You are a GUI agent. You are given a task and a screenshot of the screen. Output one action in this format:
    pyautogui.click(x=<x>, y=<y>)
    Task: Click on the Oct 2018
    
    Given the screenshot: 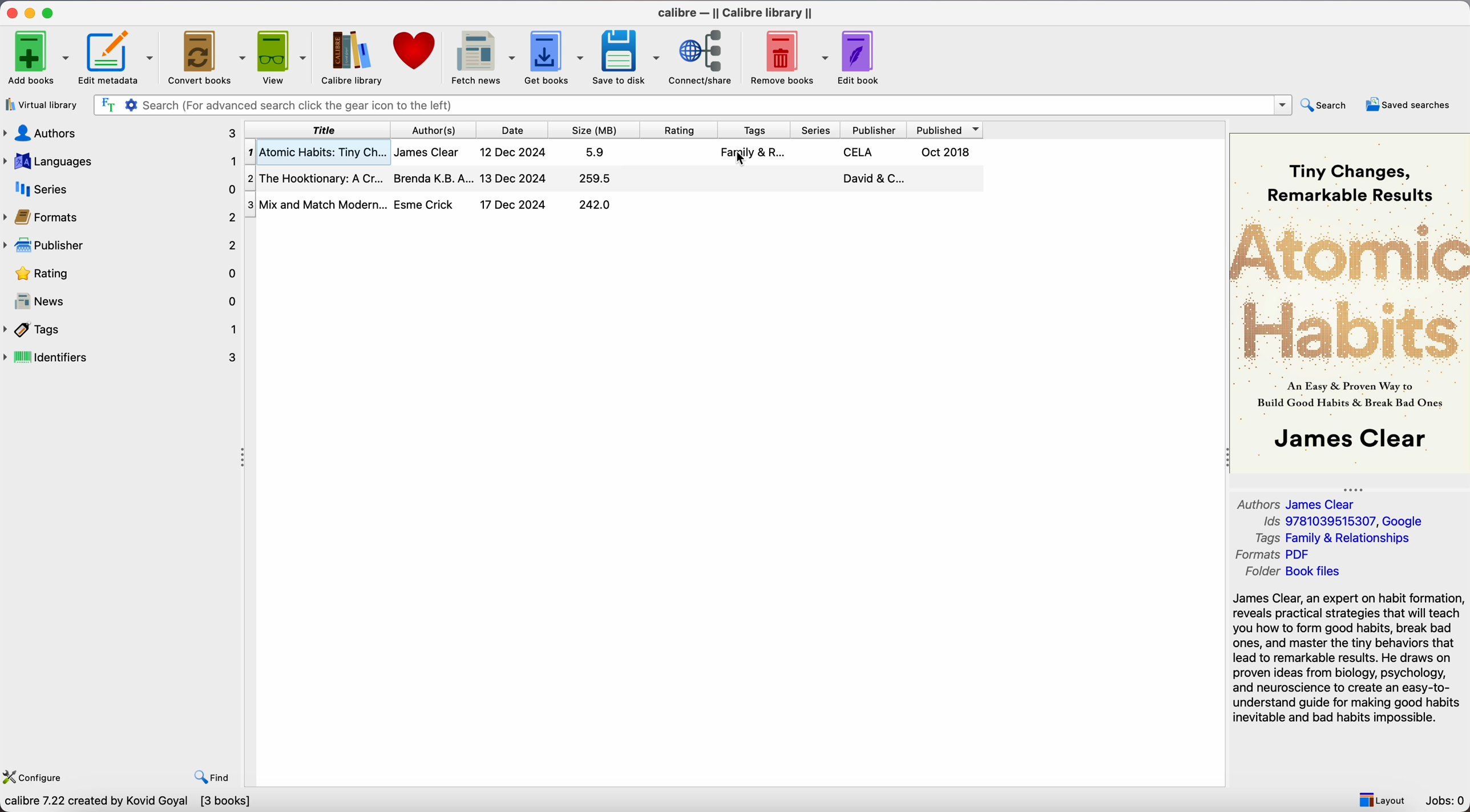 What is the action you would take?
    pyautogui.click(x=948, y=152)
    